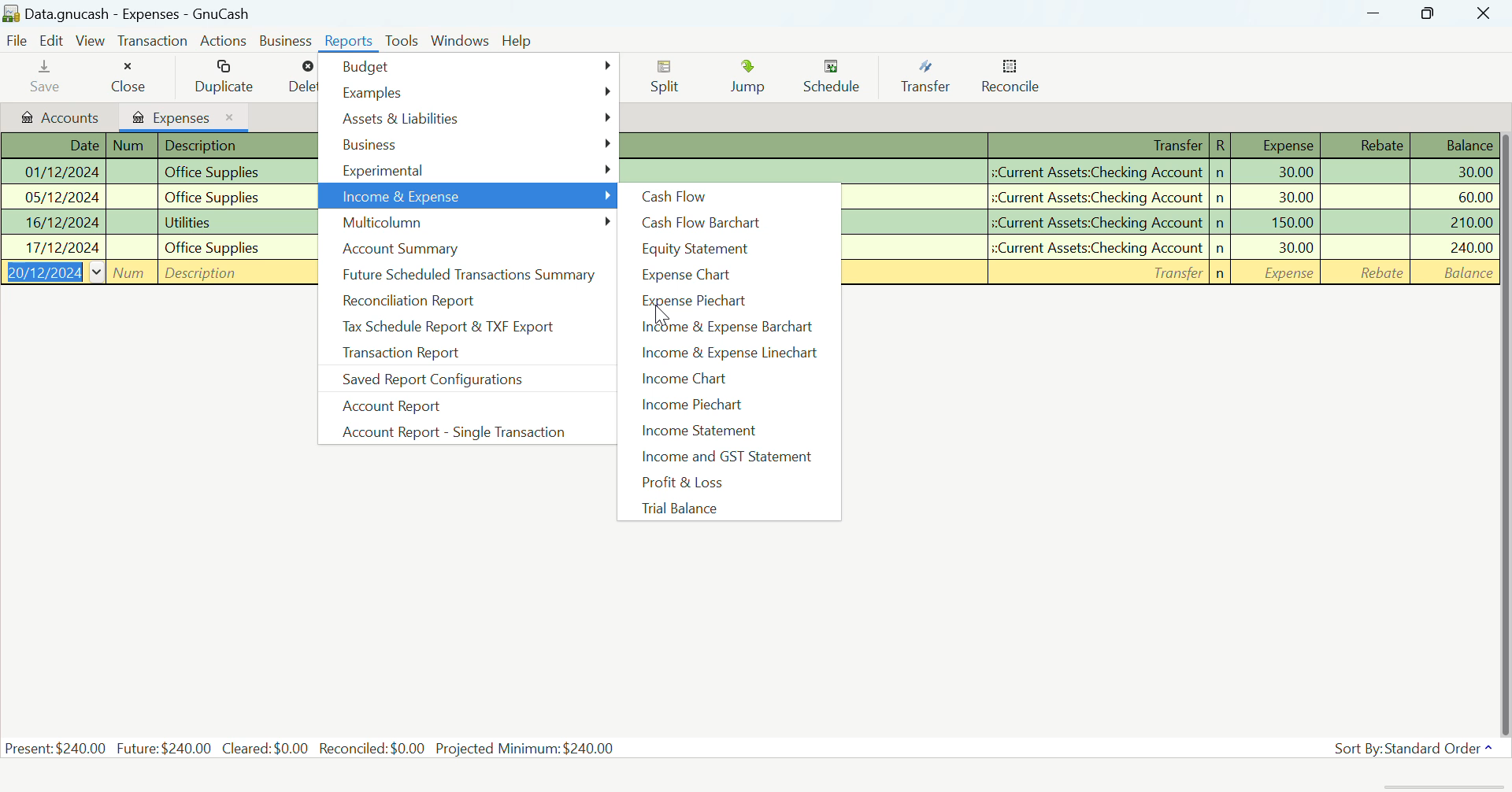 The height and width of the screenshot is (792, 1512). What do you see at coordinates (18, 39) in the screenshot?
I see `File` at bounding box center [18, 39].